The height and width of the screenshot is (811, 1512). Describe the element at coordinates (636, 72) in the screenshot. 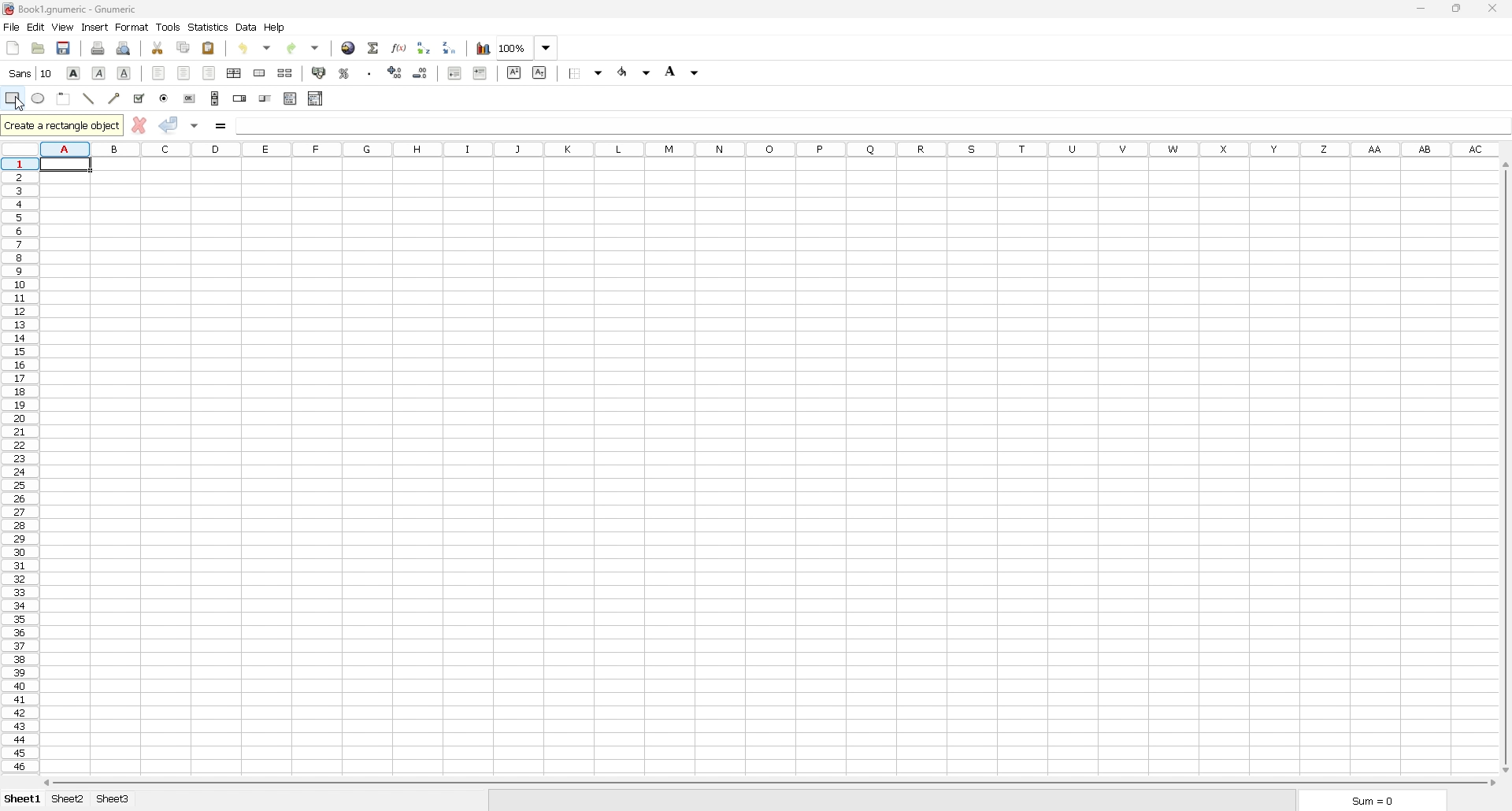

I see `foreground` at that location.